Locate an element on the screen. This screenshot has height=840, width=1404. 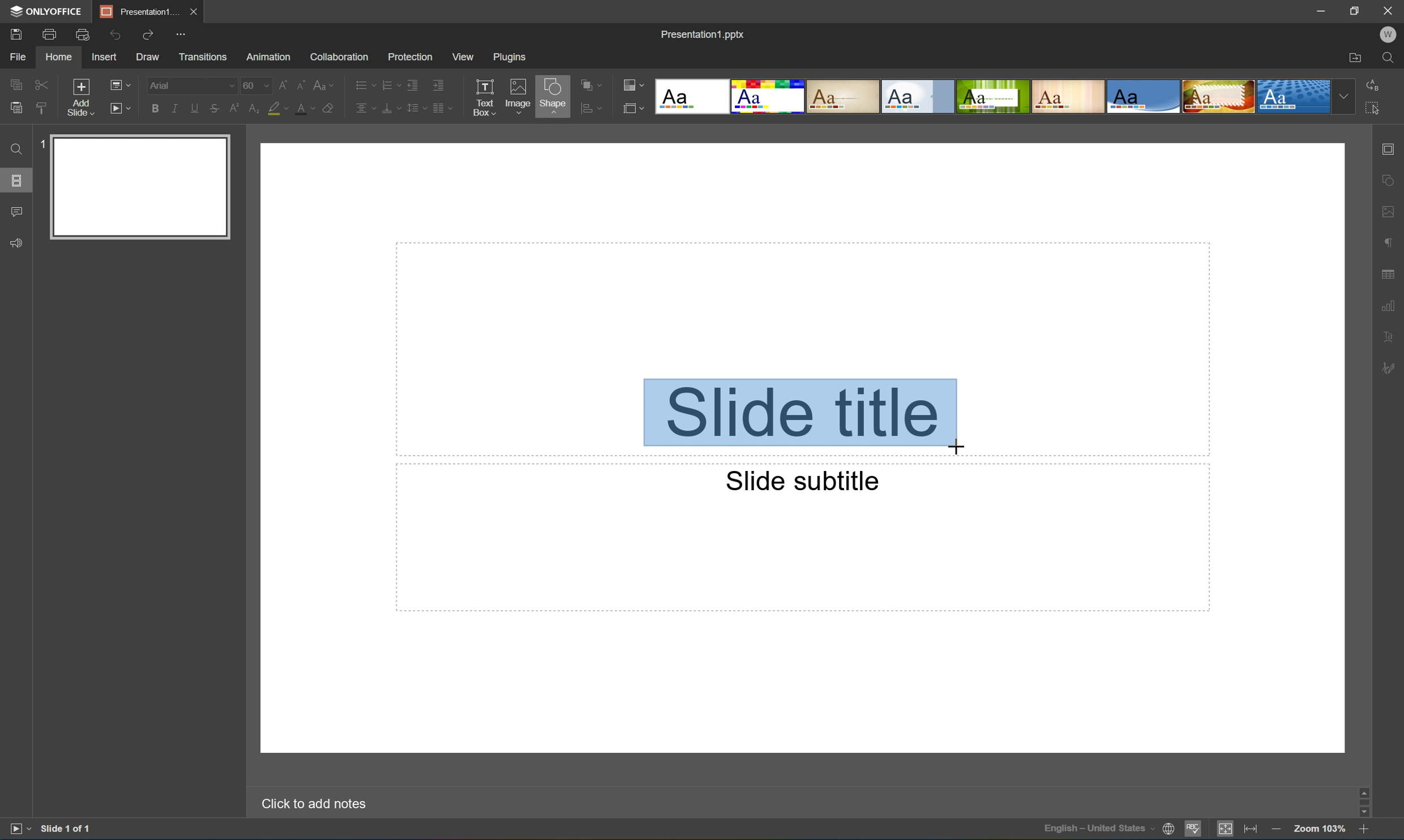
Numbering is located at coordinates (387, 84).